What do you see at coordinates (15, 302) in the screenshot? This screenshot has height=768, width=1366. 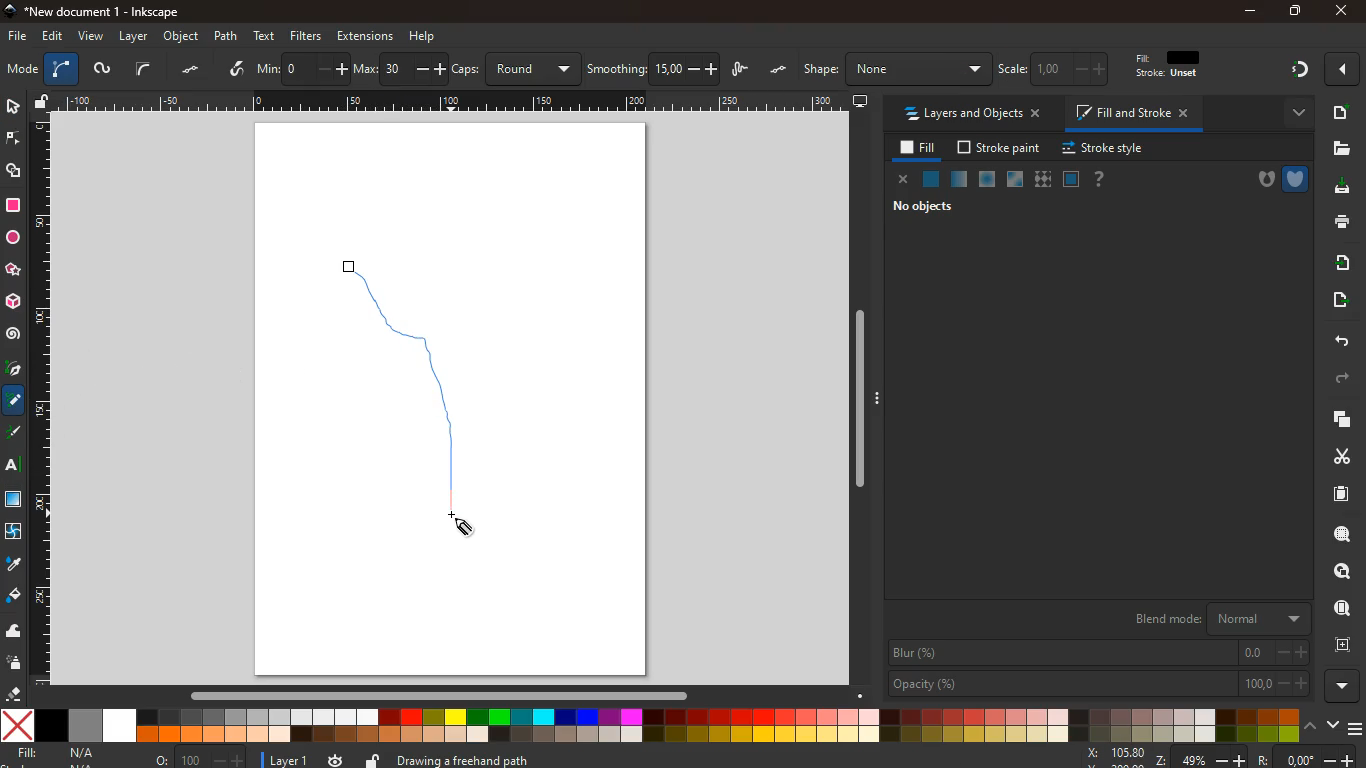 I see `3d tool` at bounding box center [15, 302].